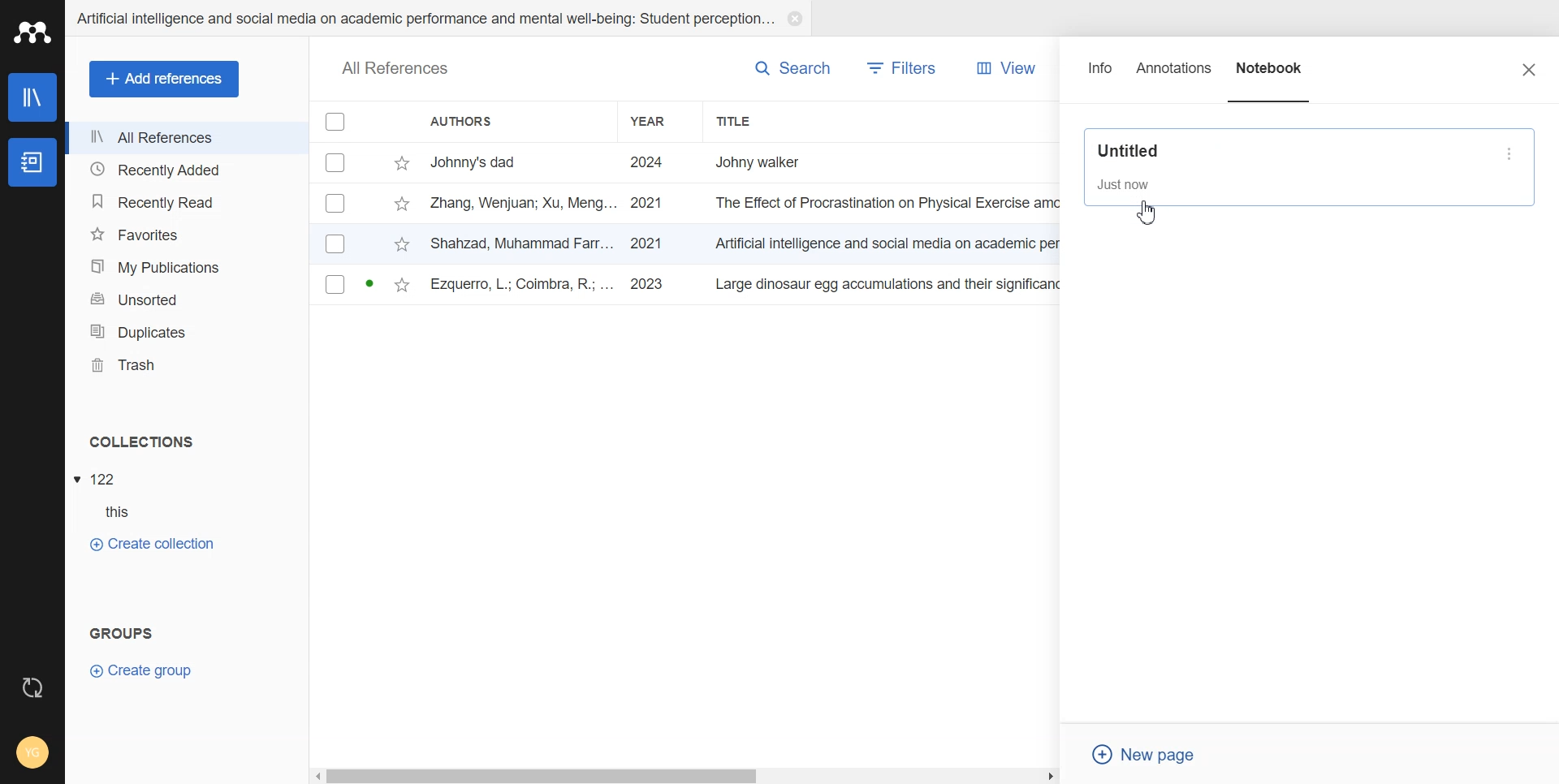  What do you see at coordinates (127, 512) in the screenshot?
I see `this` at bounding box center [127, 512].